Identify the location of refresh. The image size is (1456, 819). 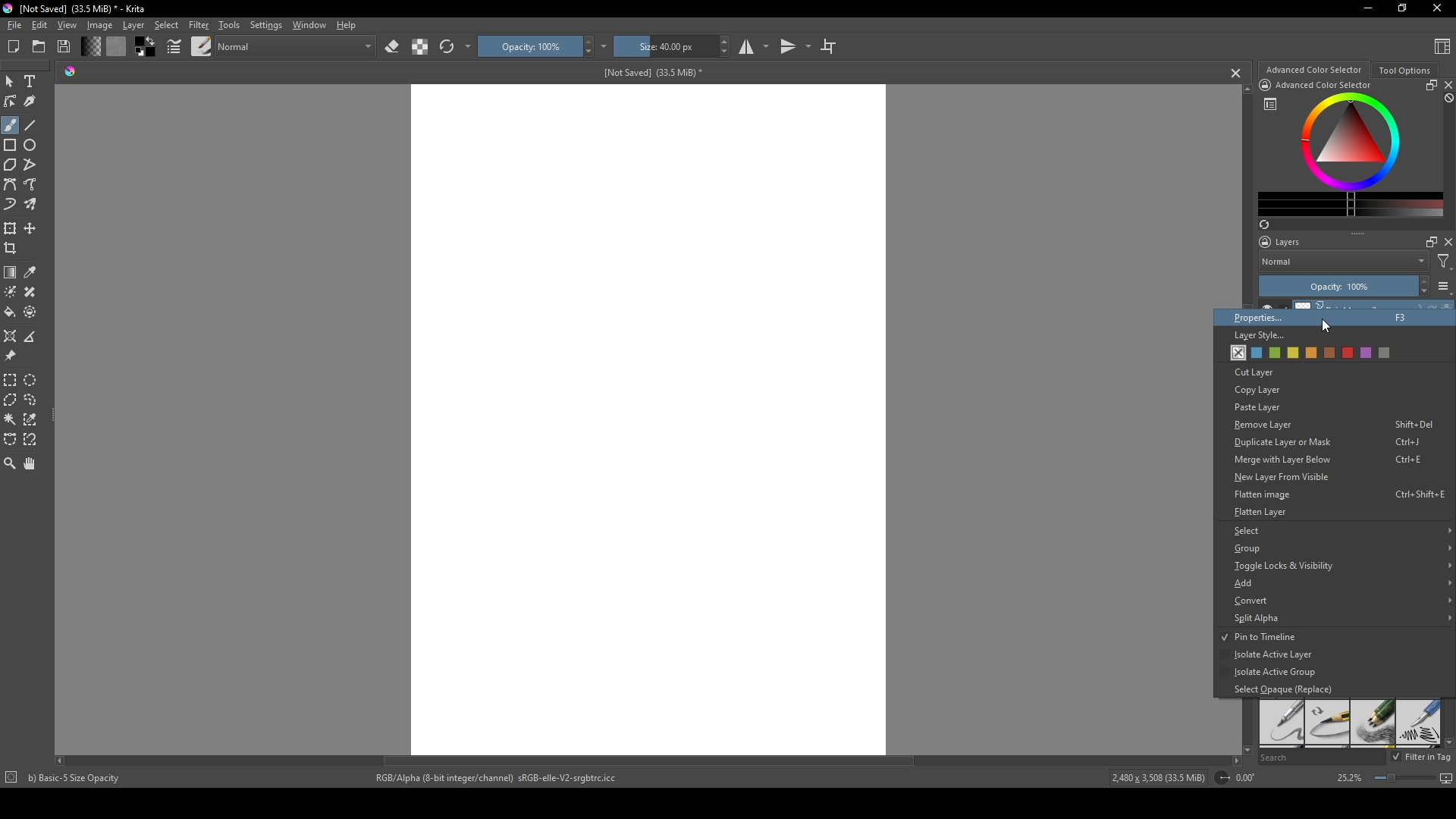
(1263, 224).